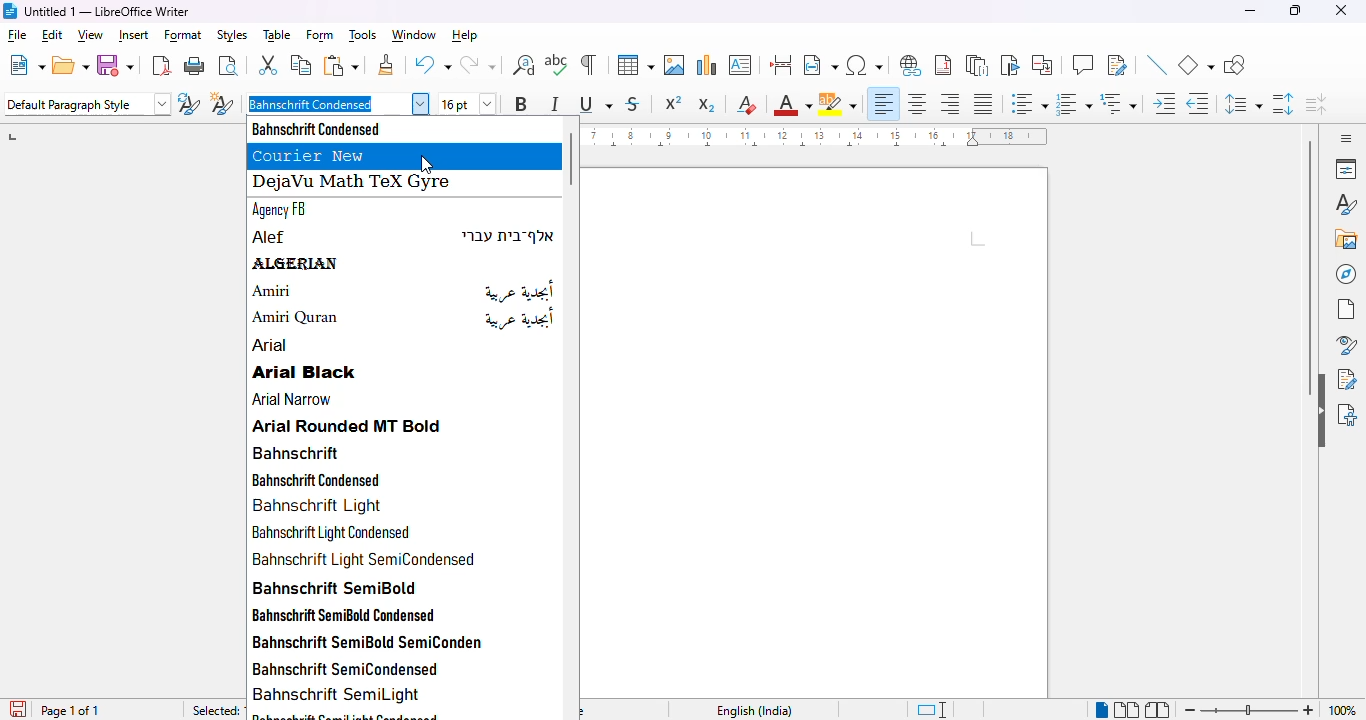 The image size is (1366, 720). What do you see at coordinates (344, 615) in the screenshot?
I see `bahnschrift semibold condensed` at bounding box center [344, 615].